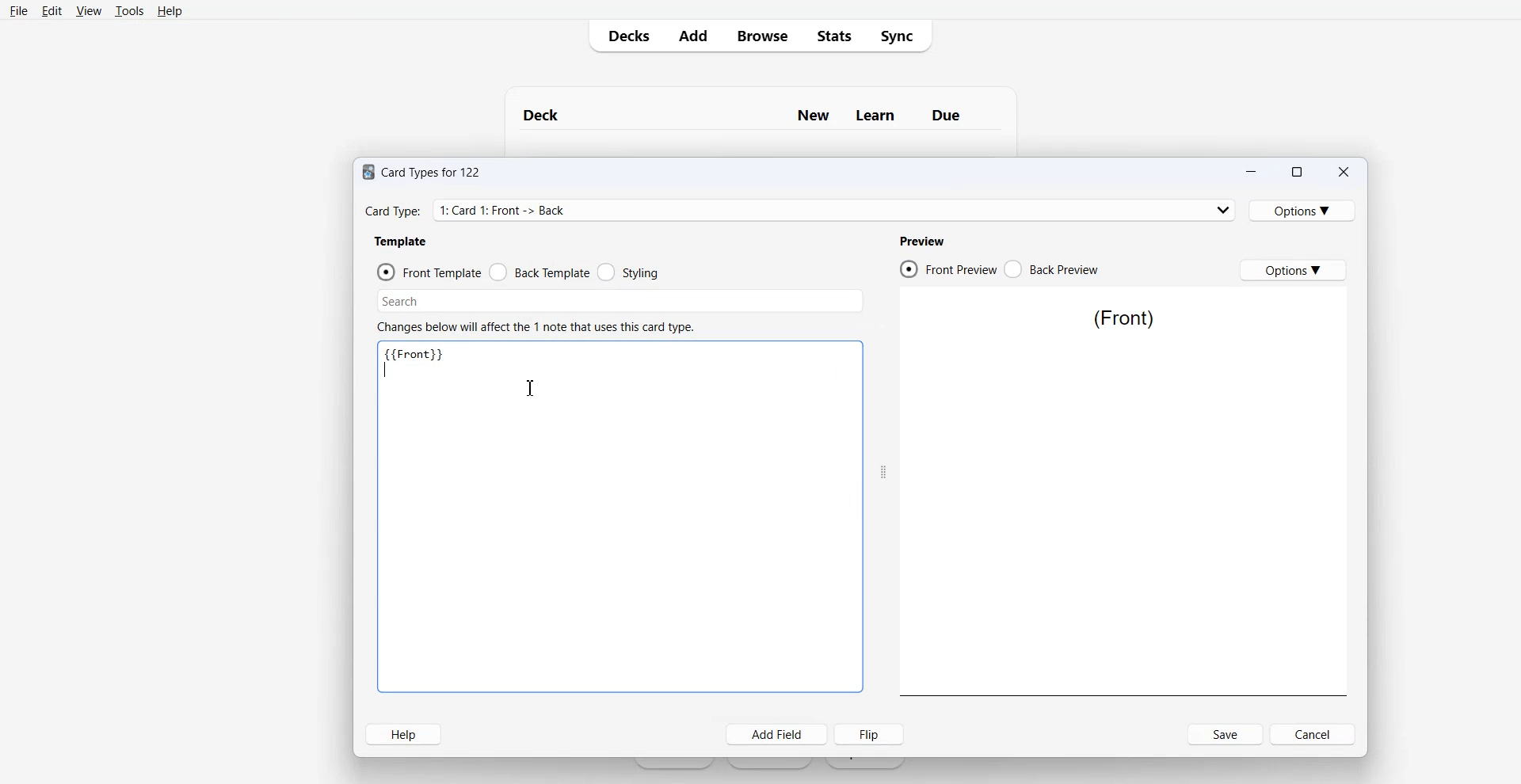 This screenshot has height=784, width=1521. Describe the element at coordinates (536, 327) in the screenshot. I see `Text 2` at that location.